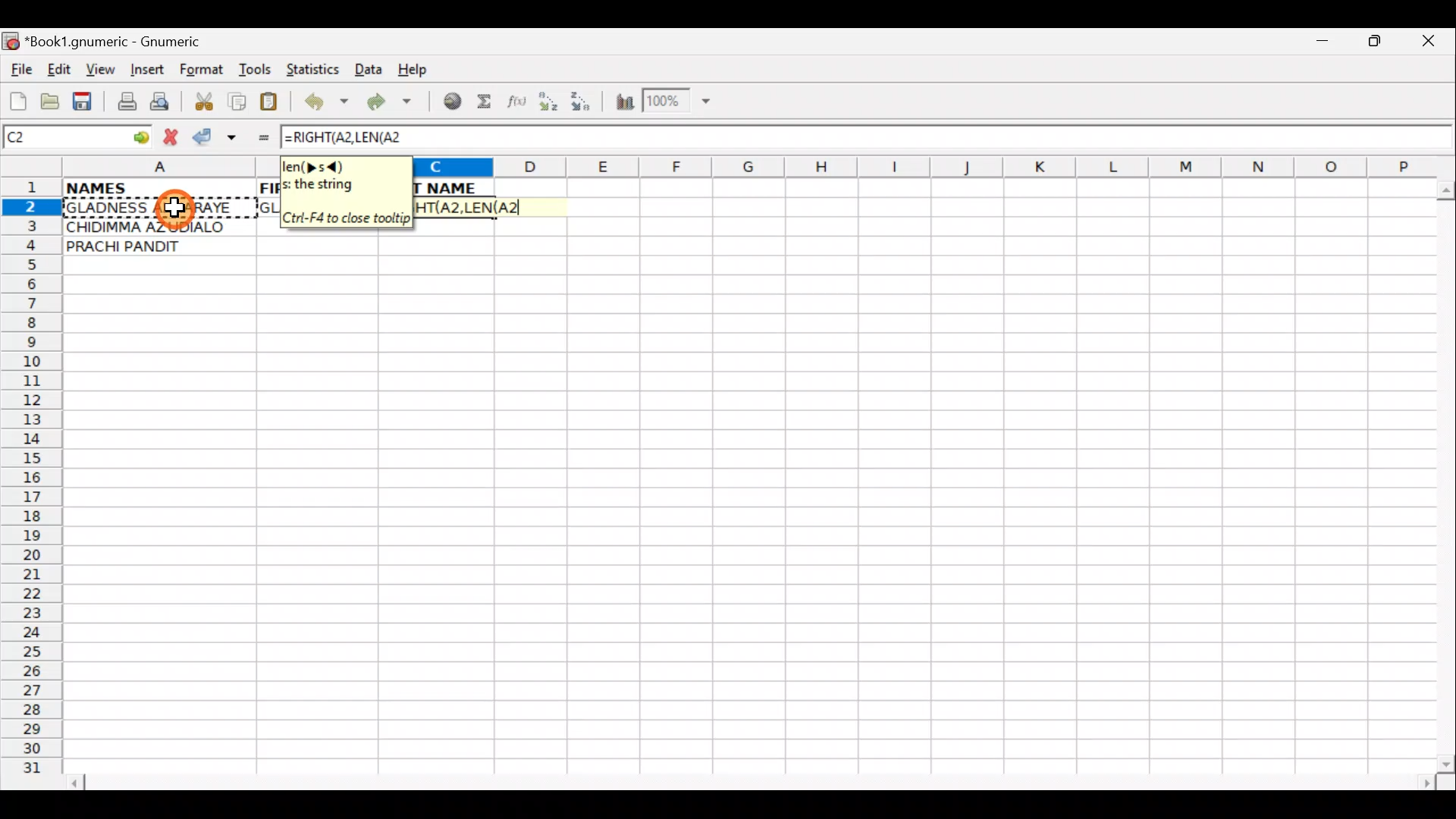  What do you see at coordinates (1319, 45) in the screenshot?
I see `Minimize` at bounding box center [1319, 45].